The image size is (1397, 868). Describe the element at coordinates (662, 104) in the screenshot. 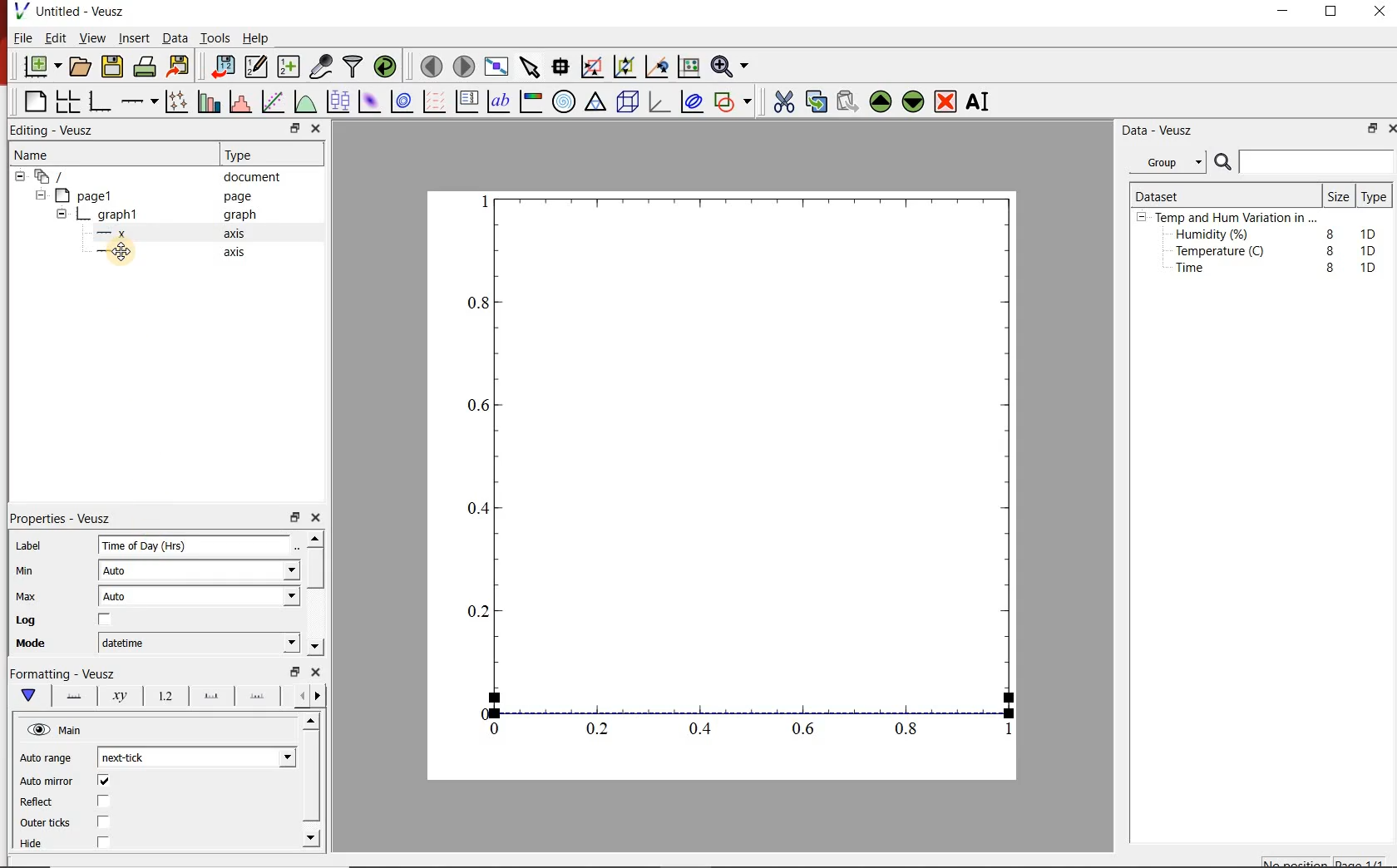

I see `3d graph` at that location.